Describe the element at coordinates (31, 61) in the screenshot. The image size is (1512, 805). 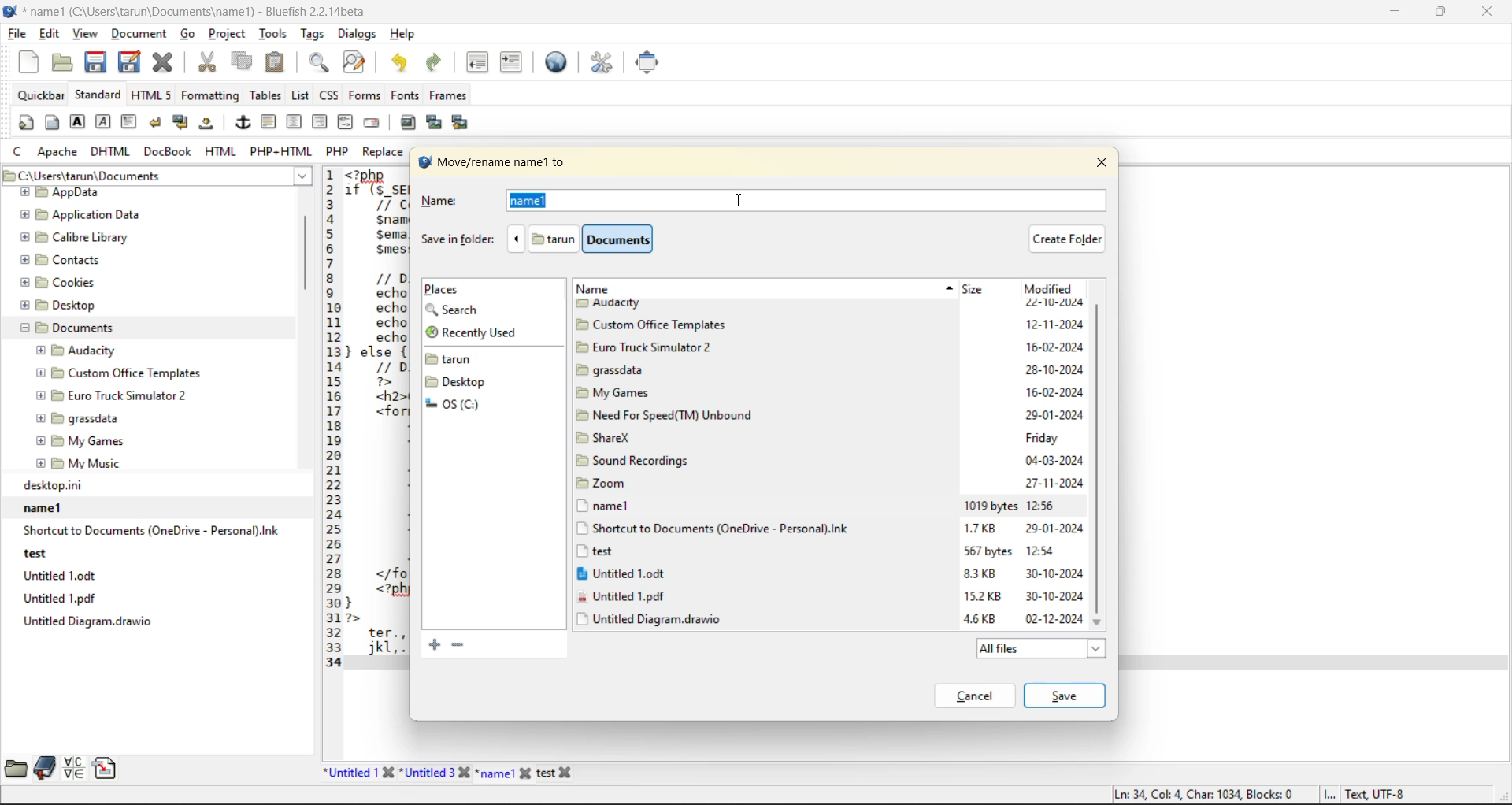
I see `new` at that location.